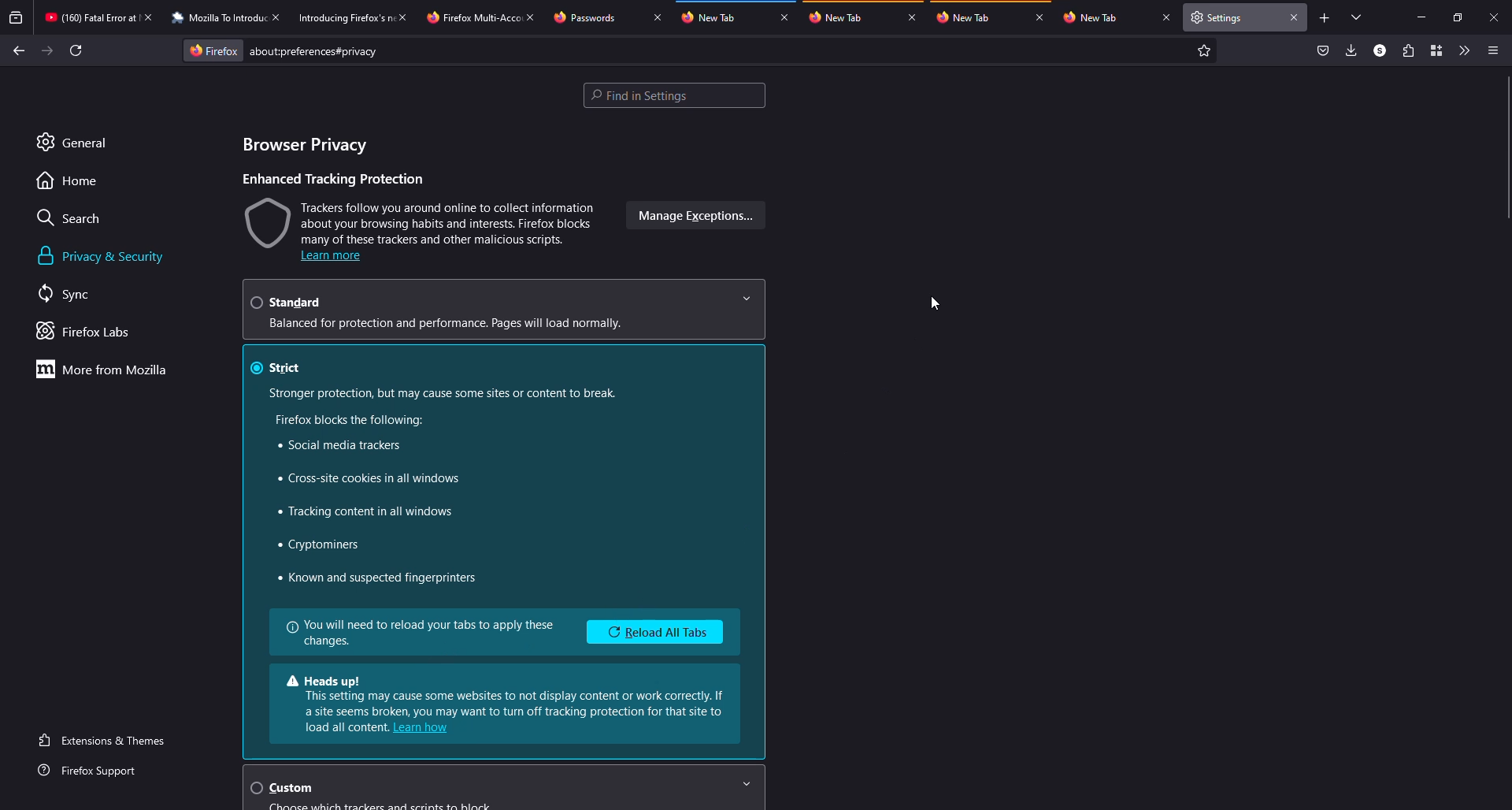  I want to click on firefox blocks the following:, so click(352, 419).